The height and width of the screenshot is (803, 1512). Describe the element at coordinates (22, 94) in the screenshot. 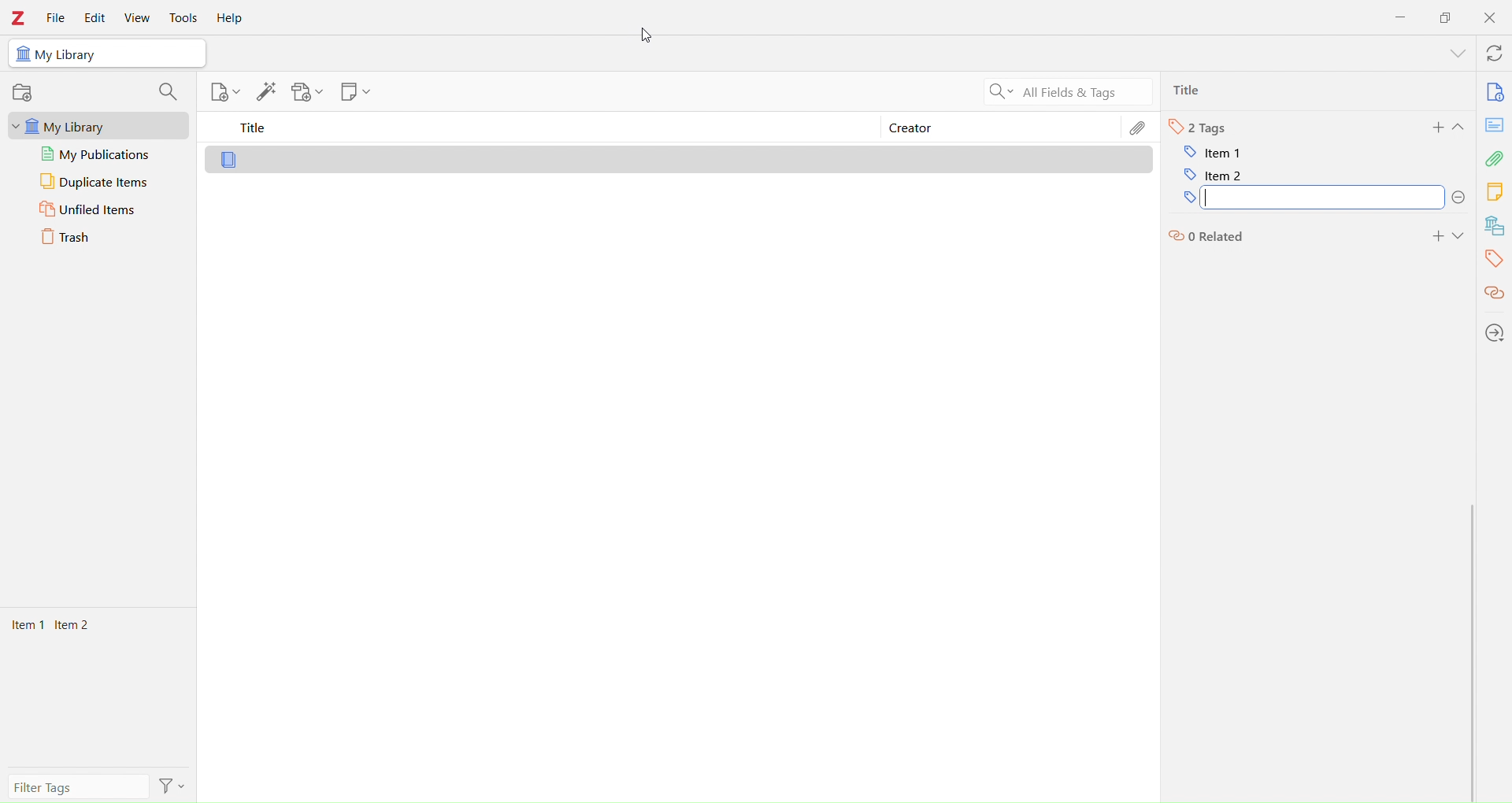

I see `record` at that location.